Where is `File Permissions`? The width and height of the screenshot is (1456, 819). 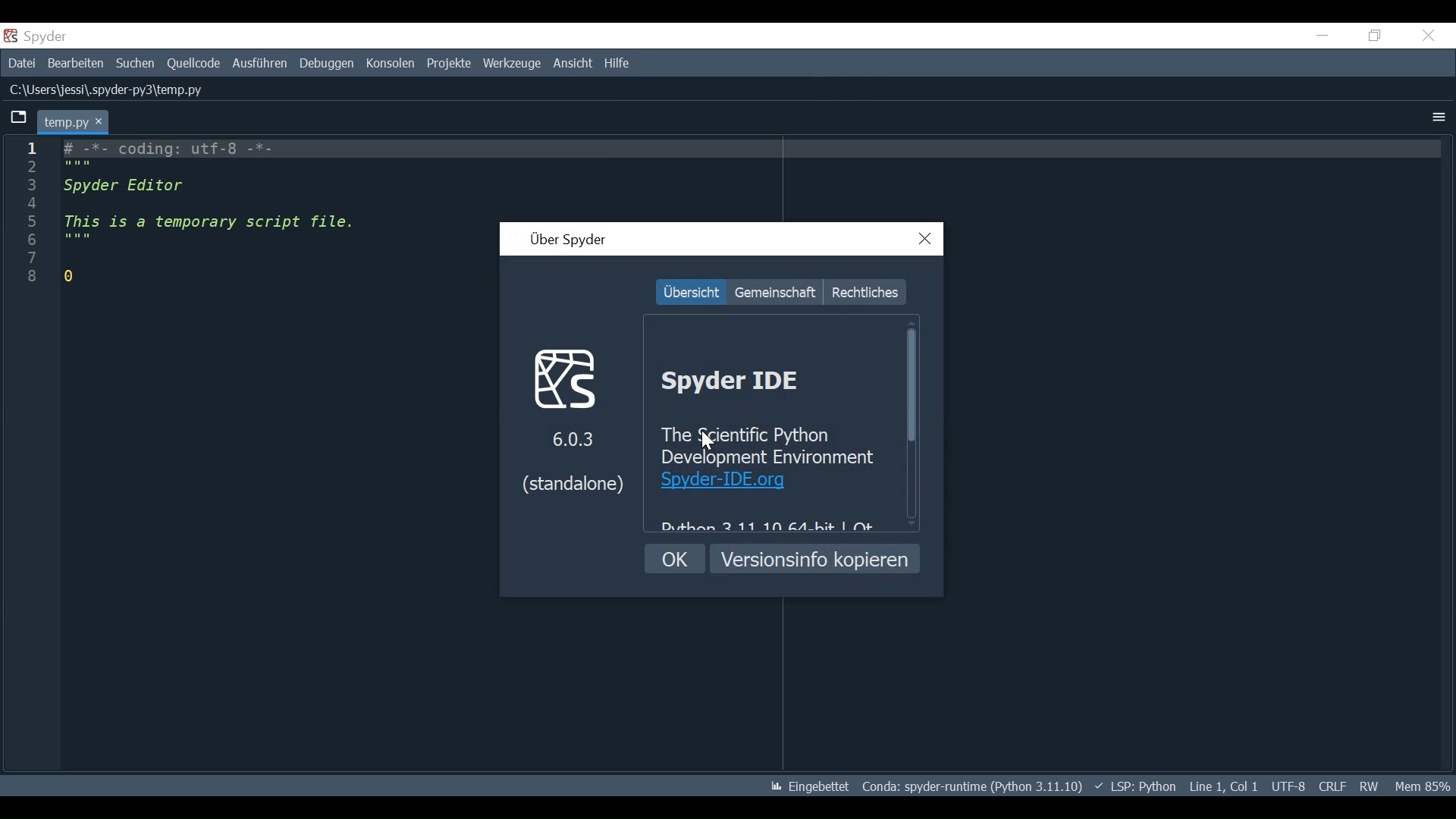 File Permissions is located at coordinates (1370, 786).